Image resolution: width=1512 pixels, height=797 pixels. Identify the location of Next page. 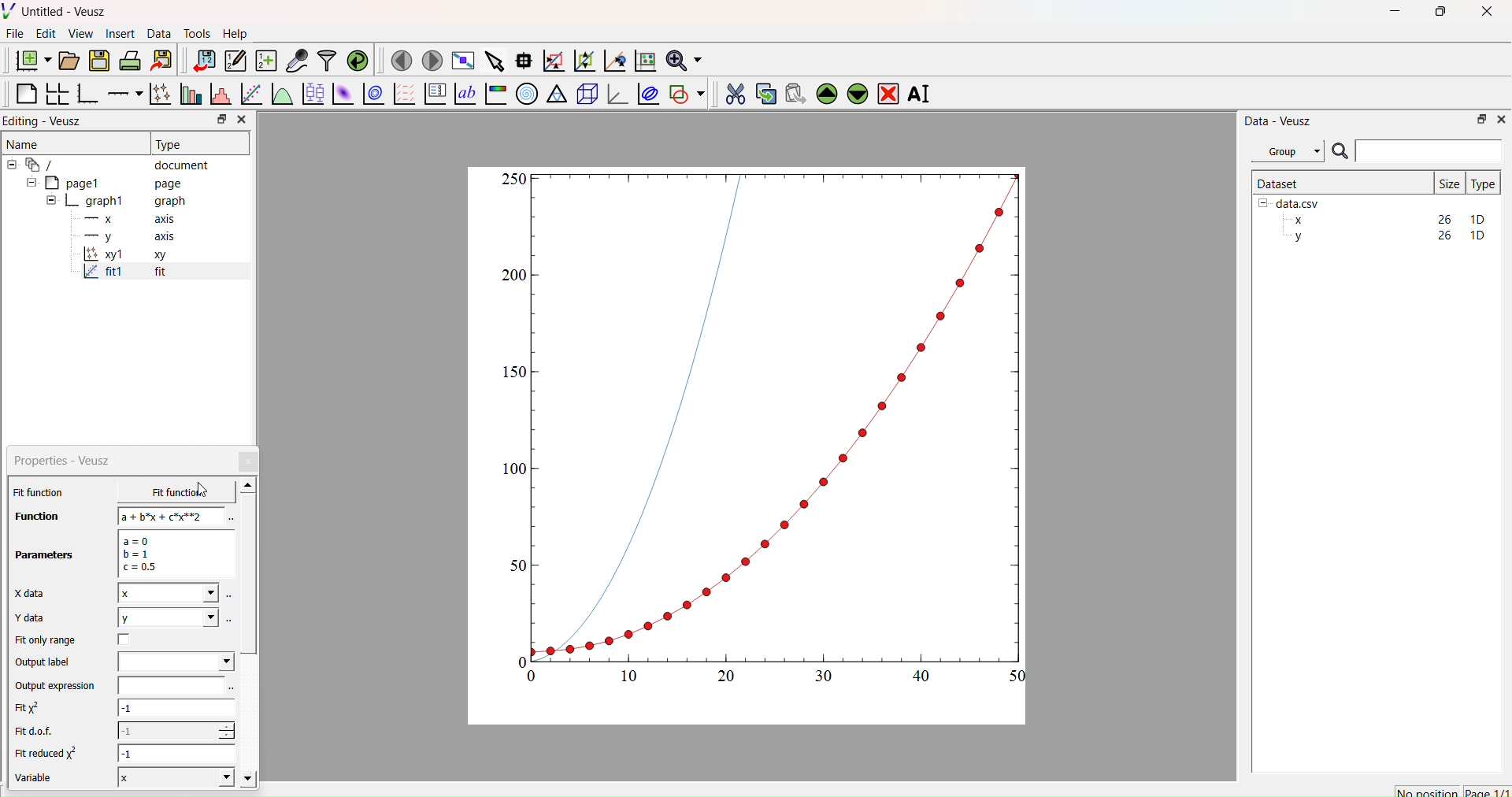
(428, 61).